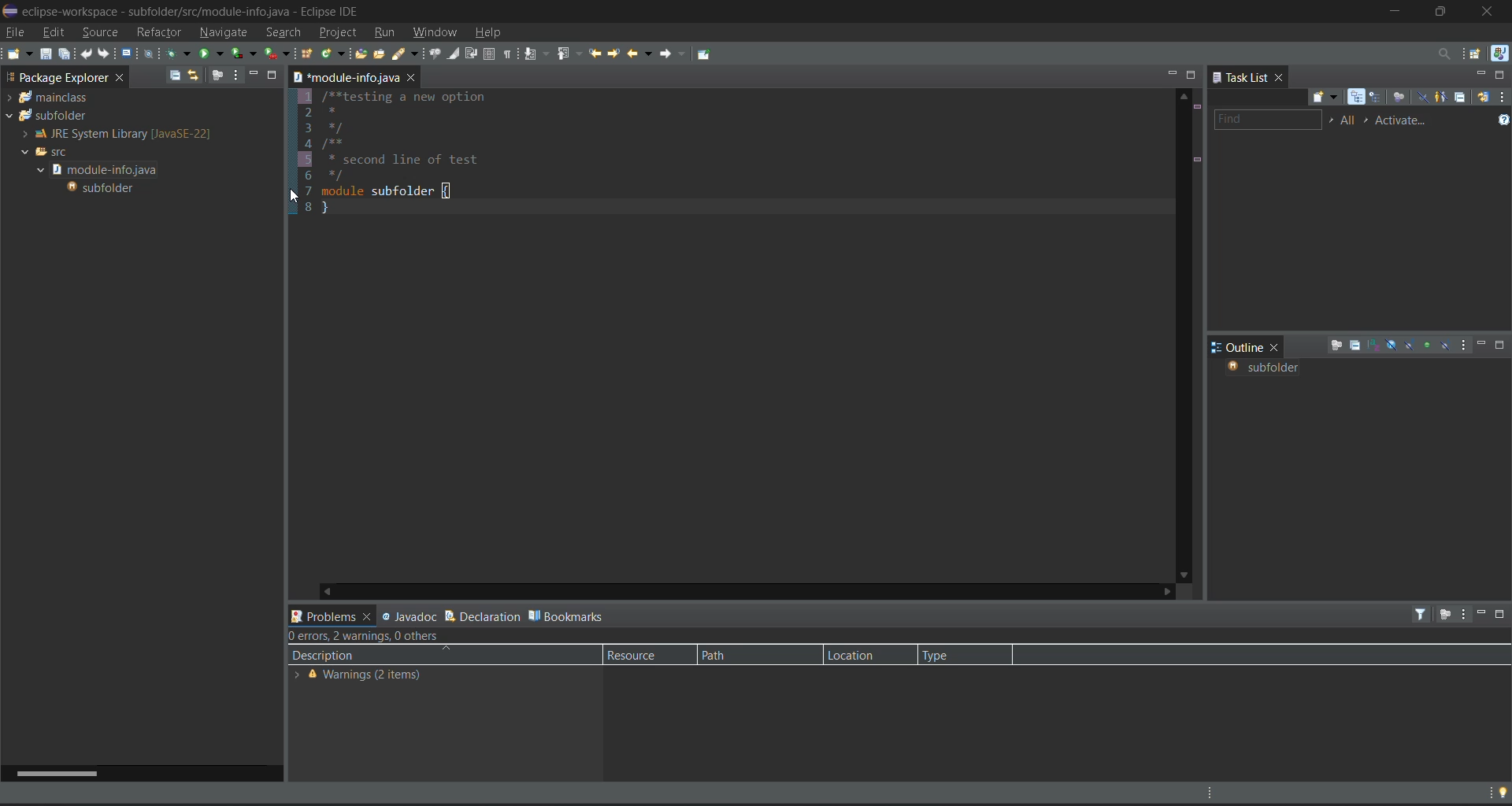 The height and width of the screenshot is (806, 1512). I want to click on open perspective, so click(1474, 52).